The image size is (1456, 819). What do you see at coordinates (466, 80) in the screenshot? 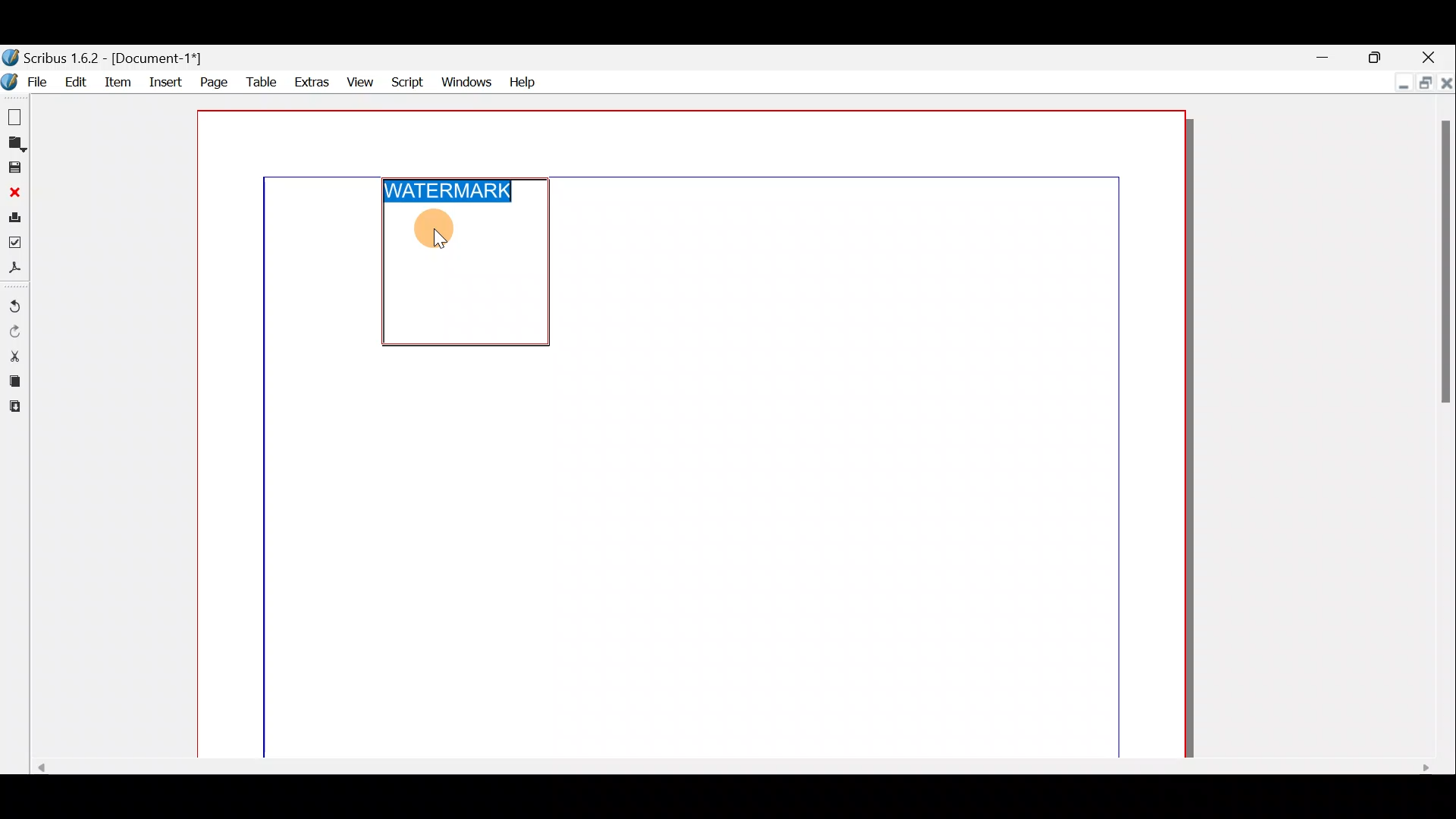
I see `Windows` at bounding box center [466, 80].